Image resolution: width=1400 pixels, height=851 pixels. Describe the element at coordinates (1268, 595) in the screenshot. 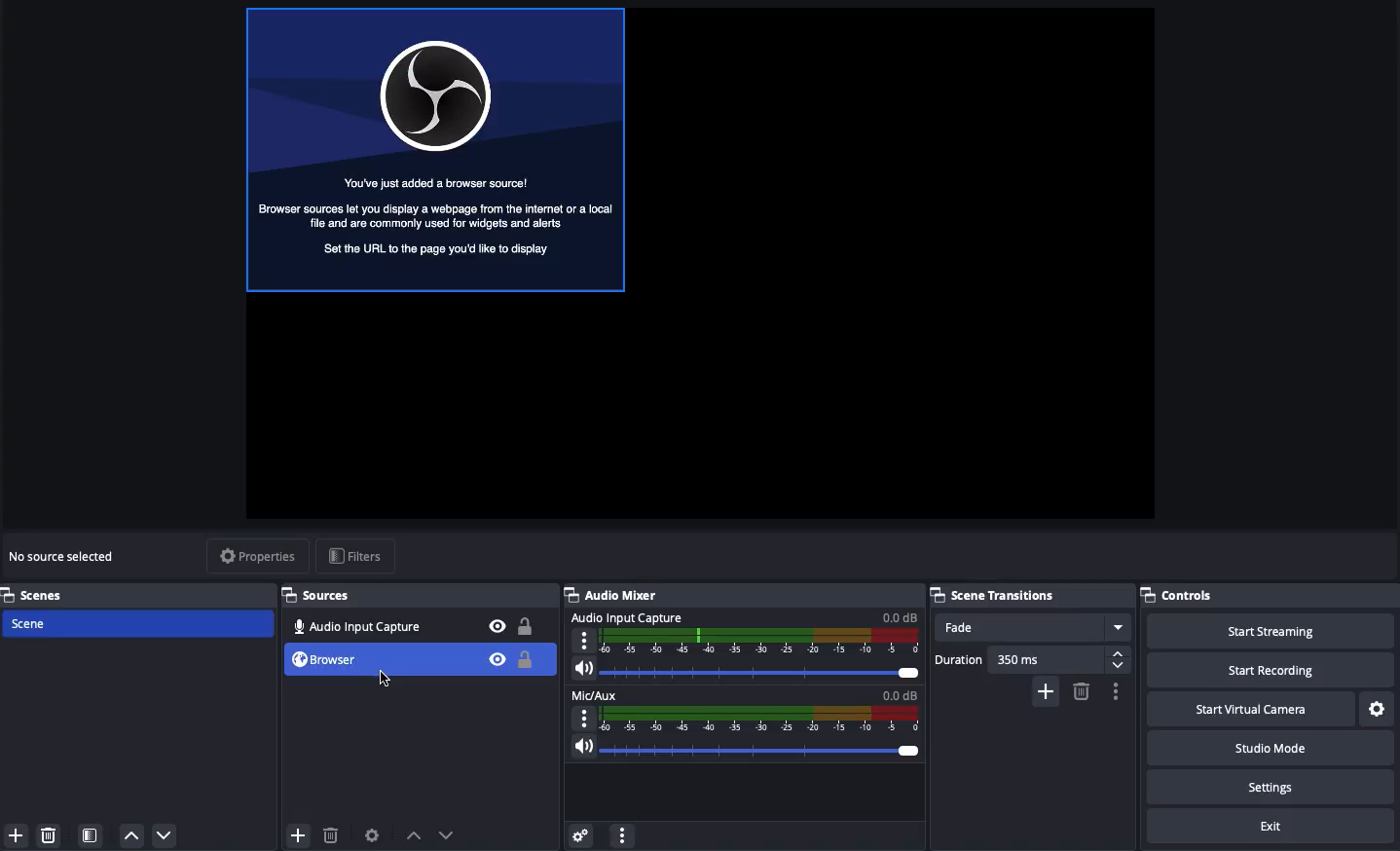

I see `Controls` at that location.